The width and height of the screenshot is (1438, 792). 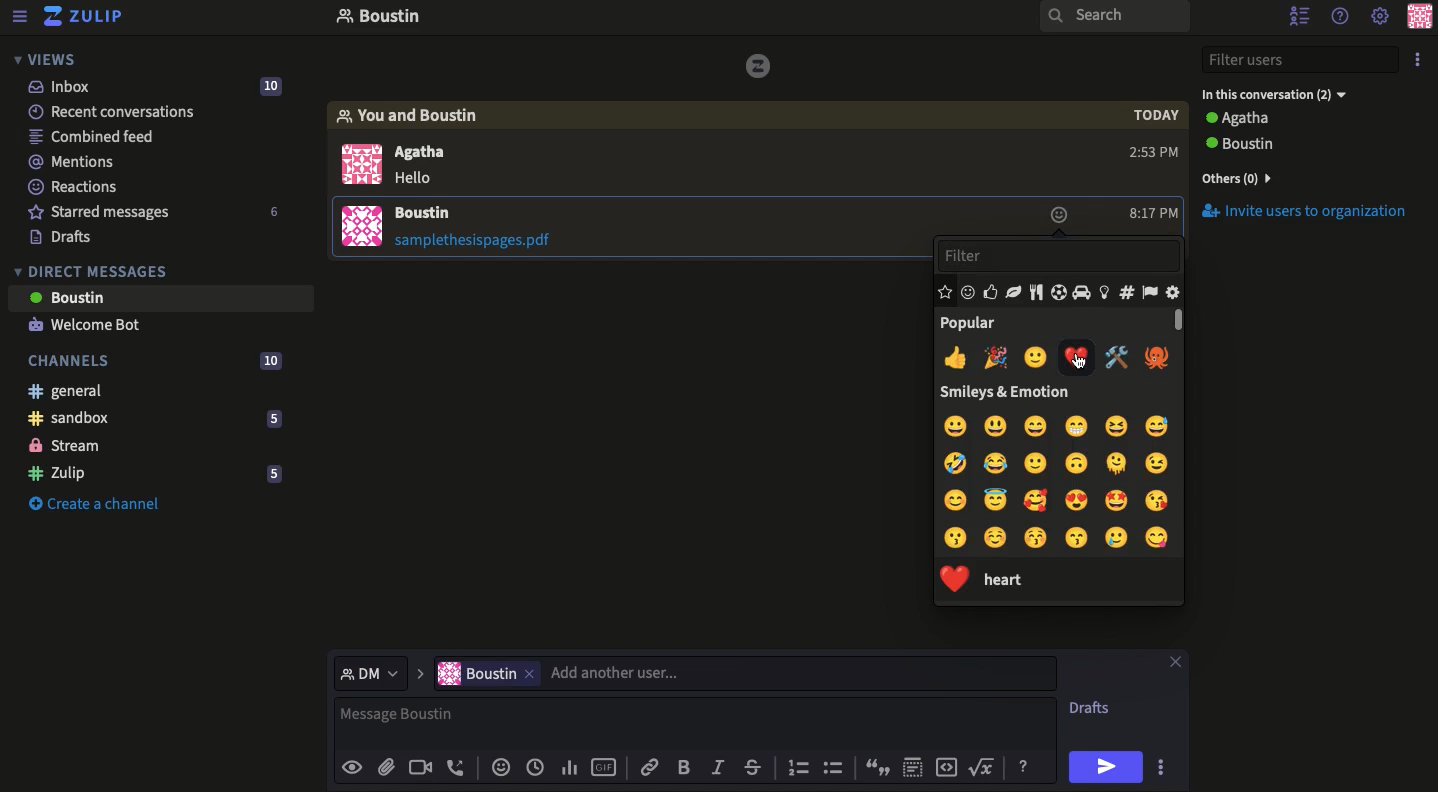 What do you see at coordinates (1155, 114) in the screenshot?
I see `today` at bounding box center [1155, 114].